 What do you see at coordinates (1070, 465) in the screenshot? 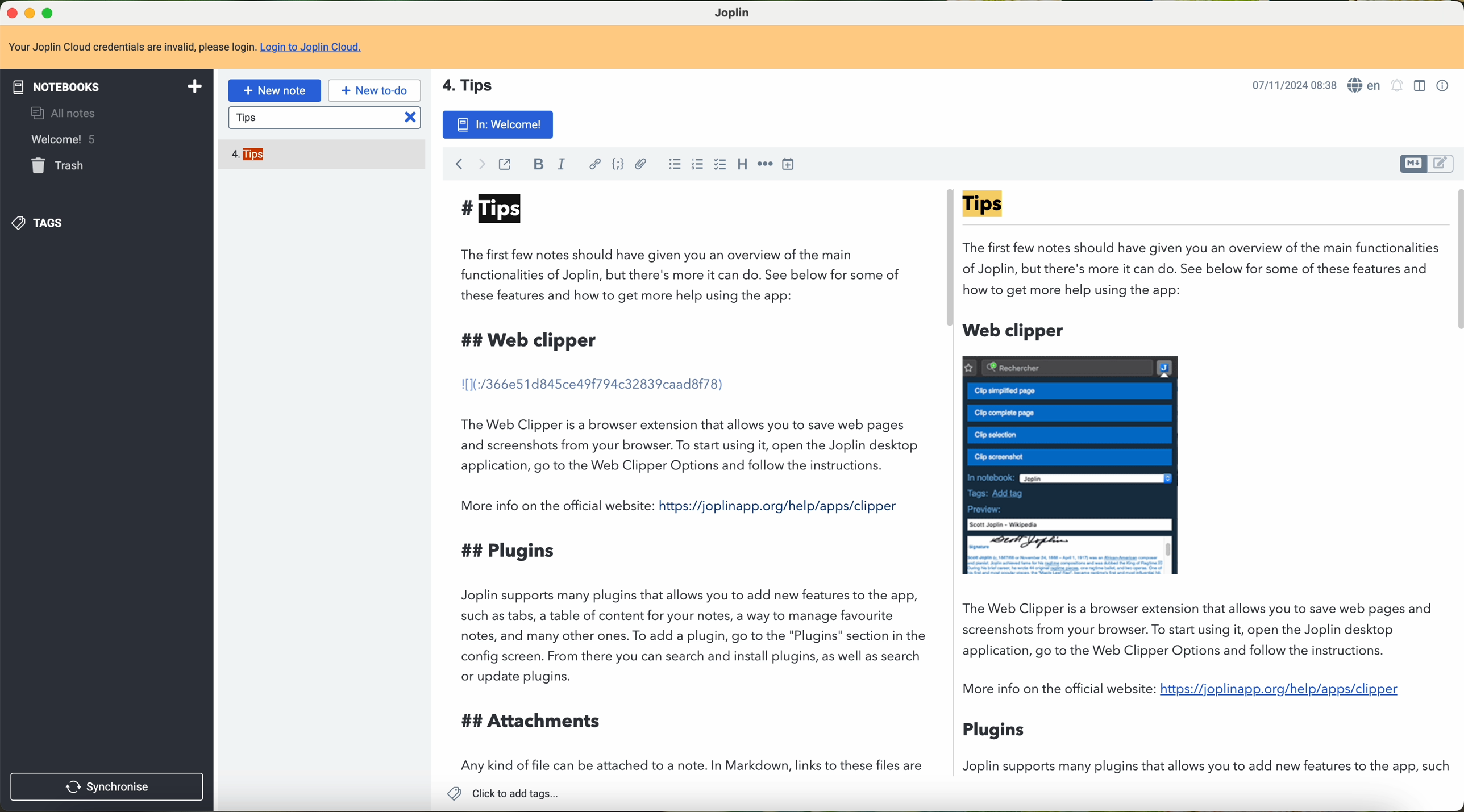
I see `Reacher.image` at bounding box center [1070, 465].